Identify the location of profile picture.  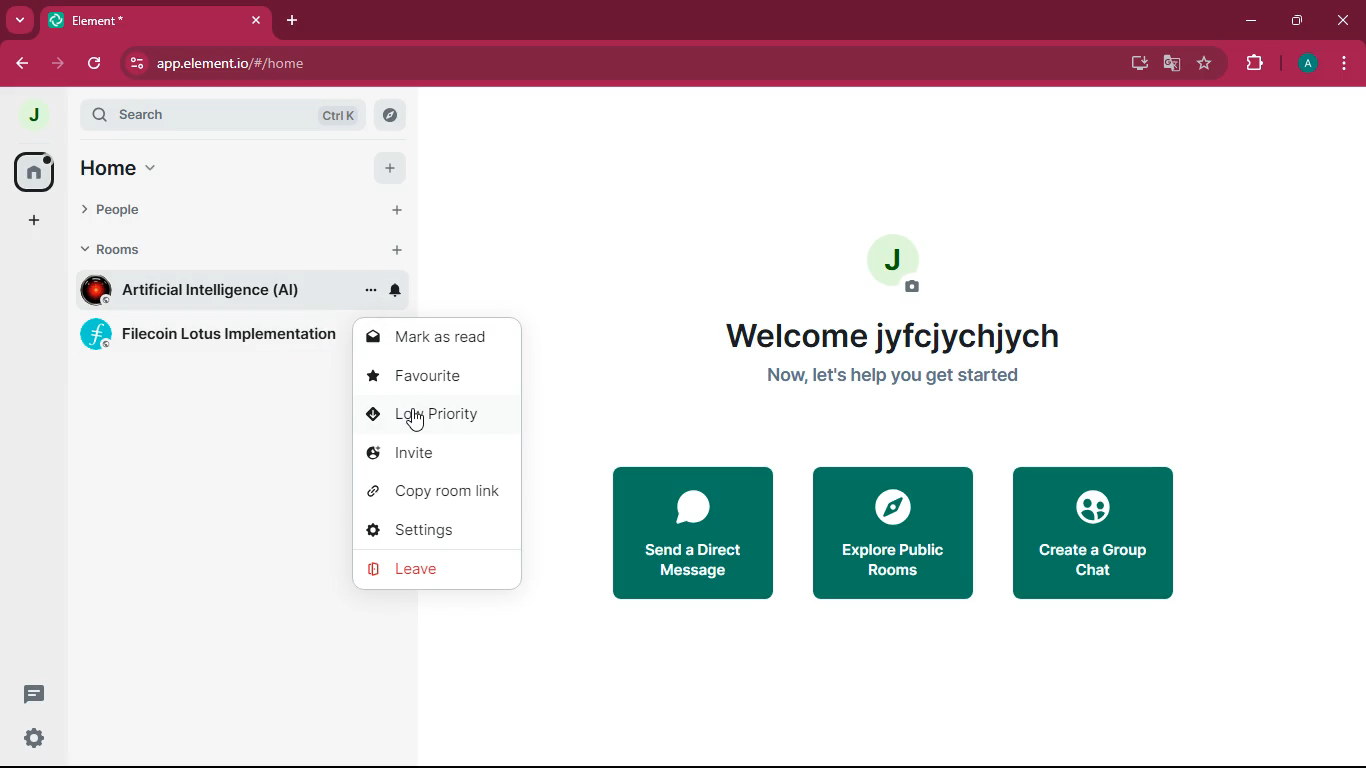
(38, 117).